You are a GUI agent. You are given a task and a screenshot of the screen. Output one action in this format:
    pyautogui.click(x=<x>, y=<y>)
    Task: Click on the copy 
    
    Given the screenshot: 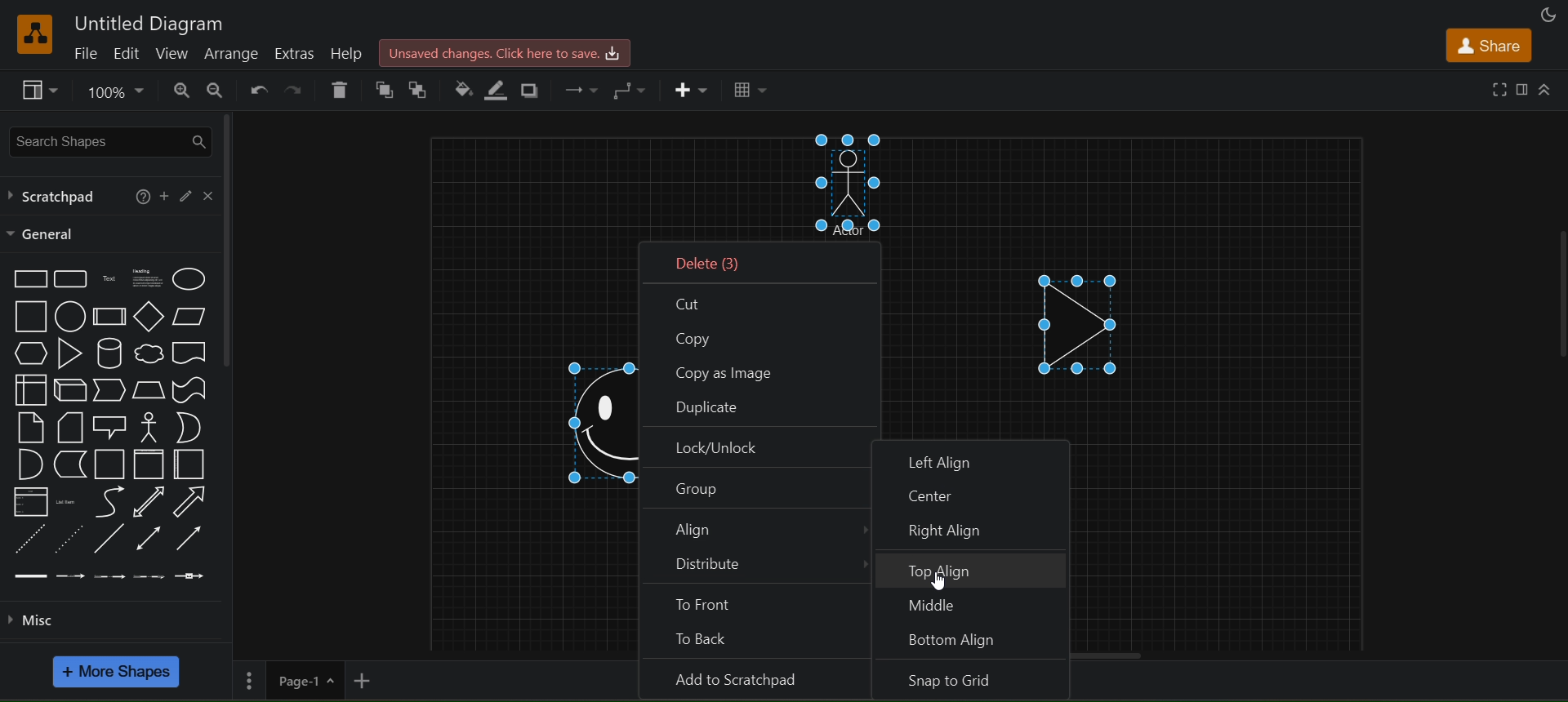 What is the action you would take?
    pyautogui.click(x=758, y=338)
    